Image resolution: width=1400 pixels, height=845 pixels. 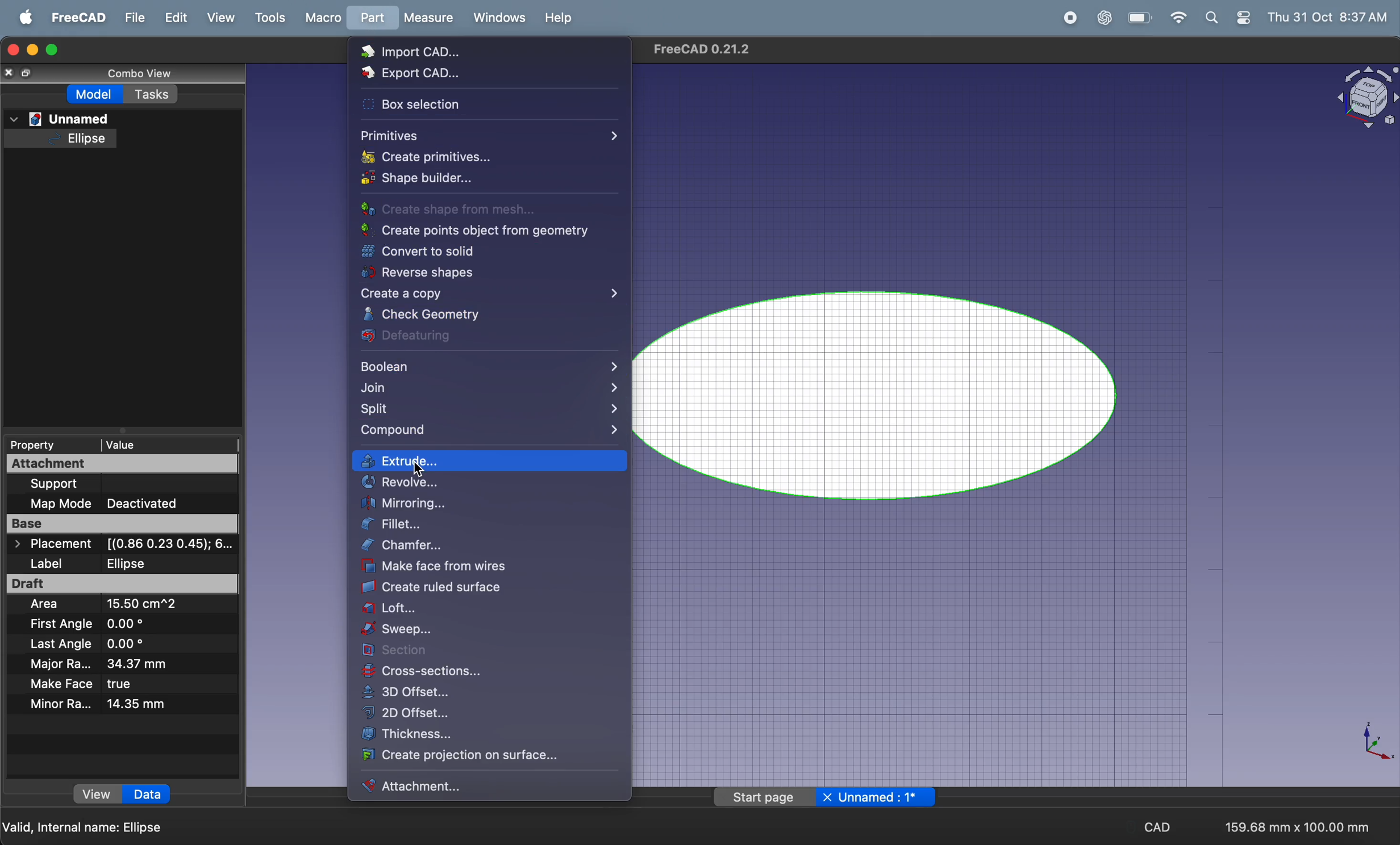 What do you see at coordinates (489, 294) in the screenshot?
I see `create a copy` at bounding box center [489, 294].